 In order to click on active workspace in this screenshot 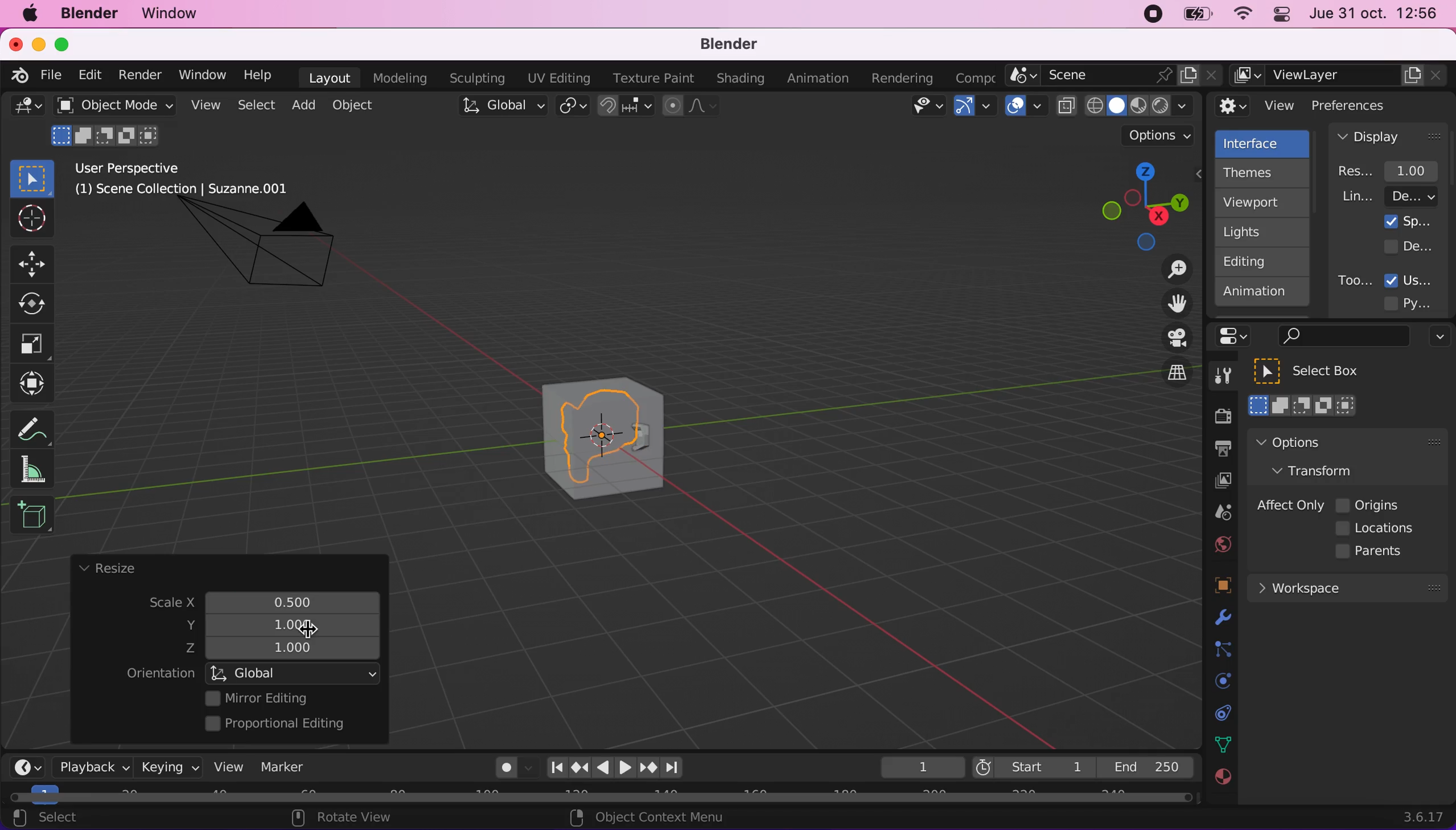, I will do `click(971, 76)`.